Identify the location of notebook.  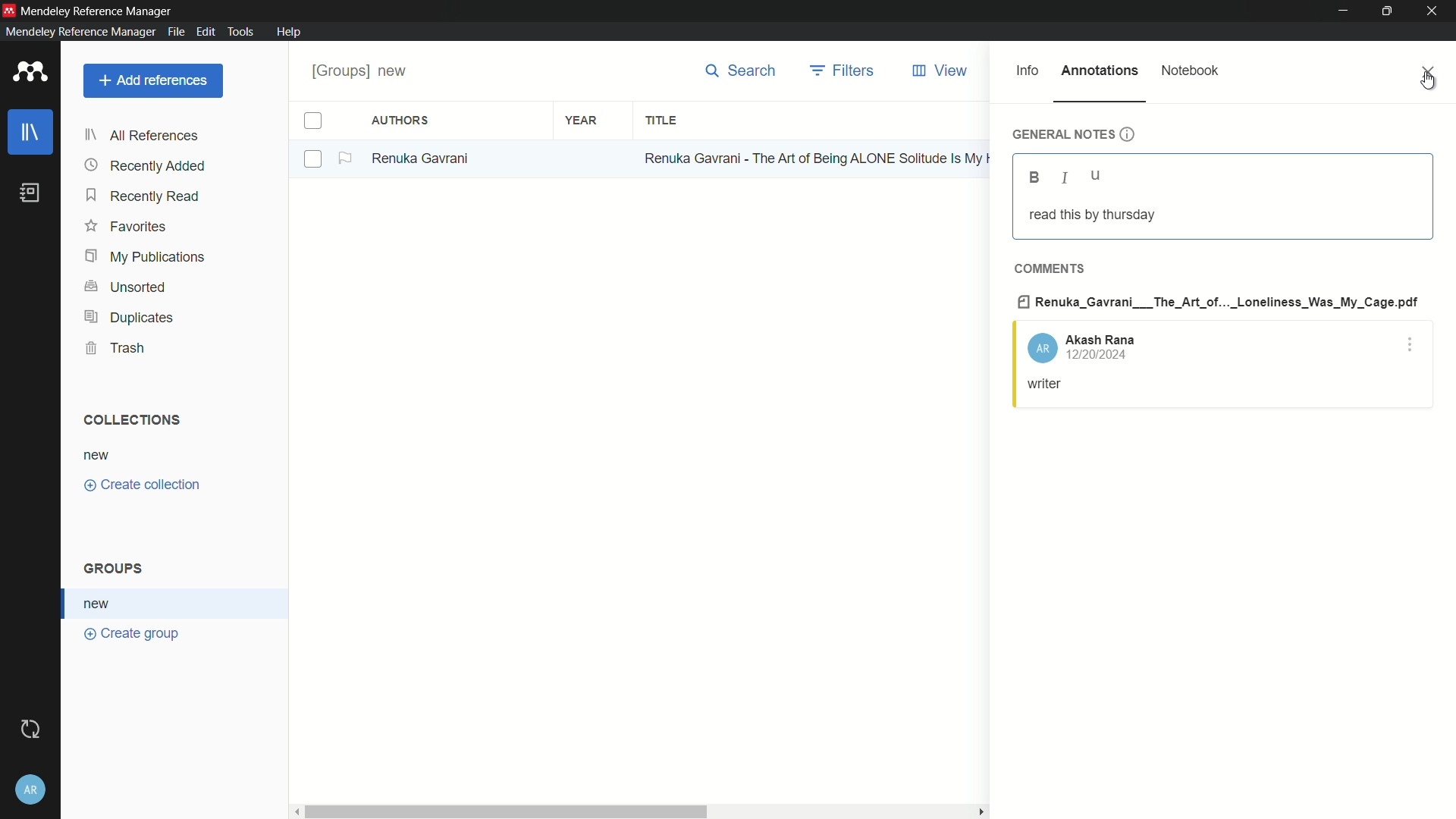
(1191, 70).